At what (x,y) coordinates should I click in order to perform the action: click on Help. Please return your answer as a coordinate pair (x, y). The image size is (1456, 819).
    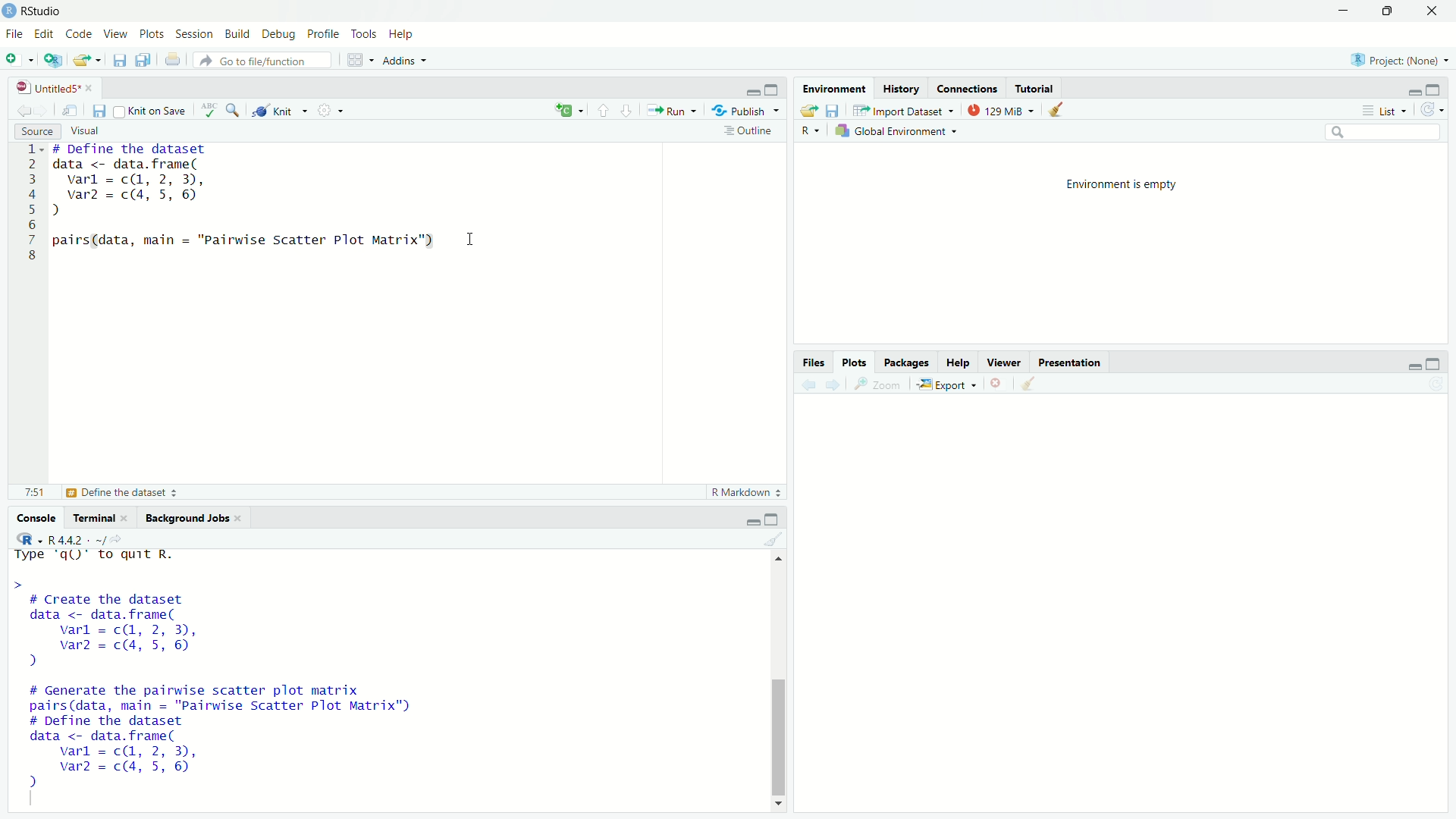
    Looking at the image, I should click on (400, 32).